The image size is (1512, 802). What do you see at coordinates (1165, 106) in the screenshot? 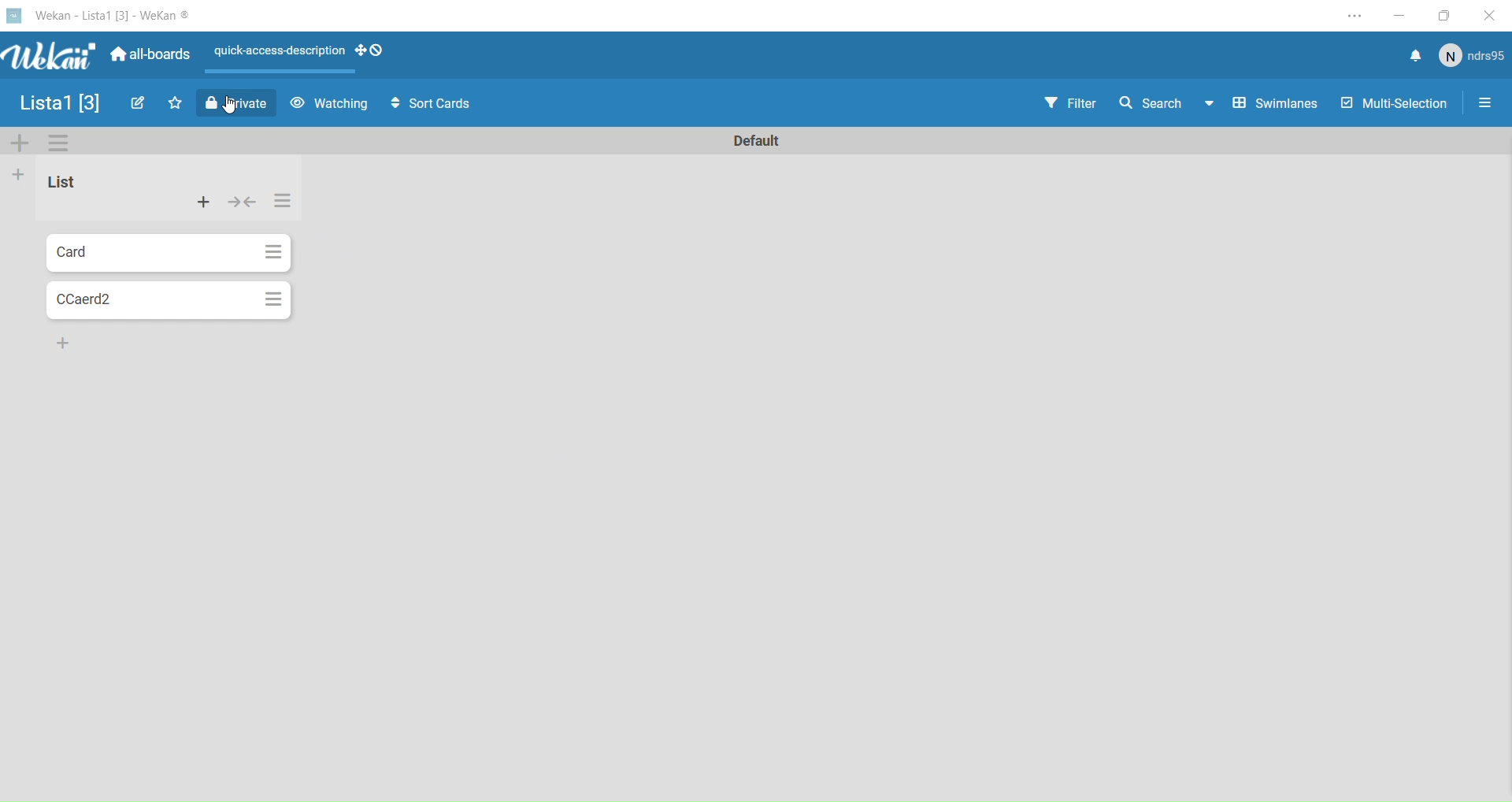
I see `Search` at bounding box center [1165, 106].